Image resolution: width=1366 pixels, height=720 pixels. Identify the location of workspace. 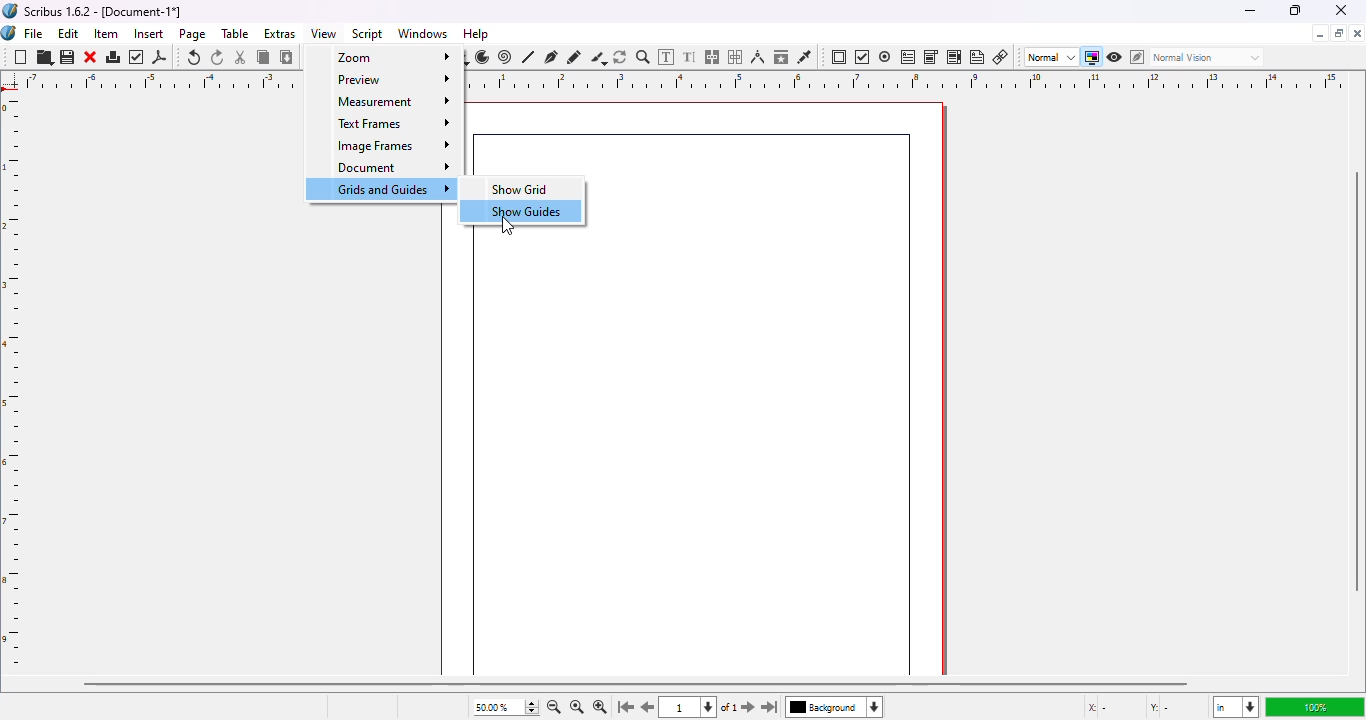
(801, 376).